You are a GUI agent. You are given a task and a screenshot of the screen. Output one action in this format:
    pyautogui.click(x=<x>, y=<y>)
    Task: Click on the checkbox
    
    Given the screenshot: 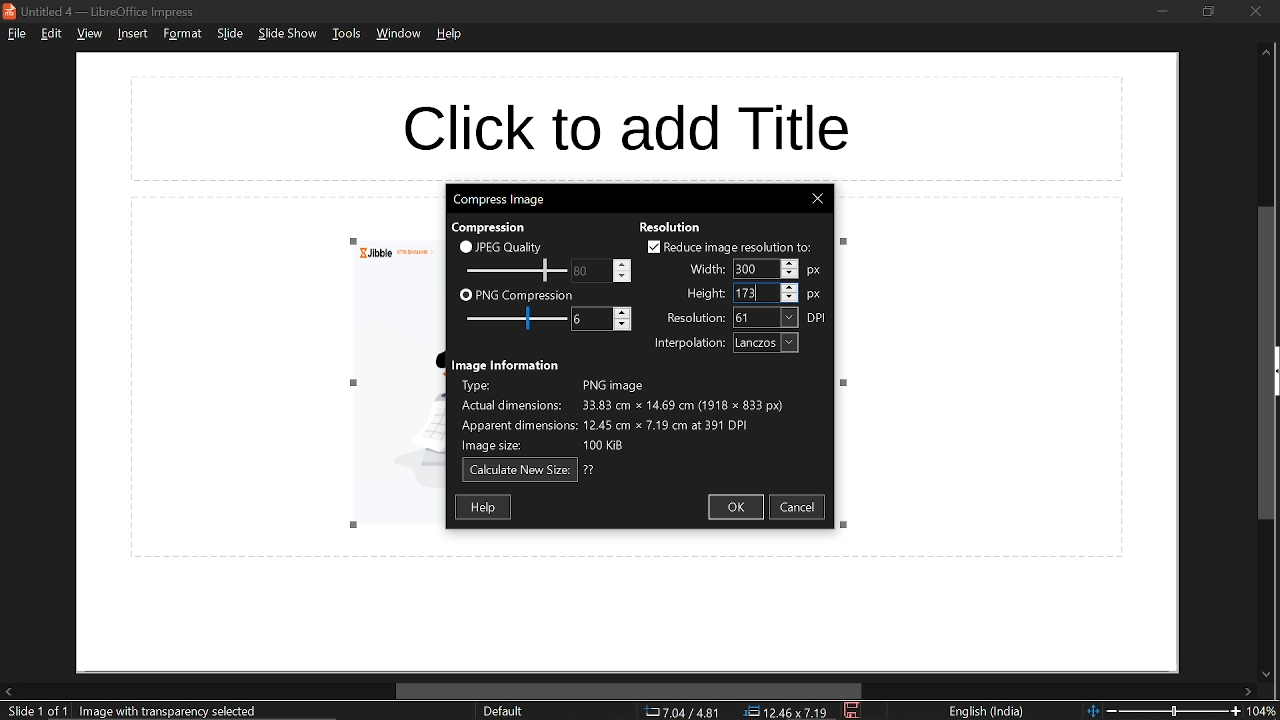 What is the action you would take?
    pyautogui.click(x=465, y=296)
    